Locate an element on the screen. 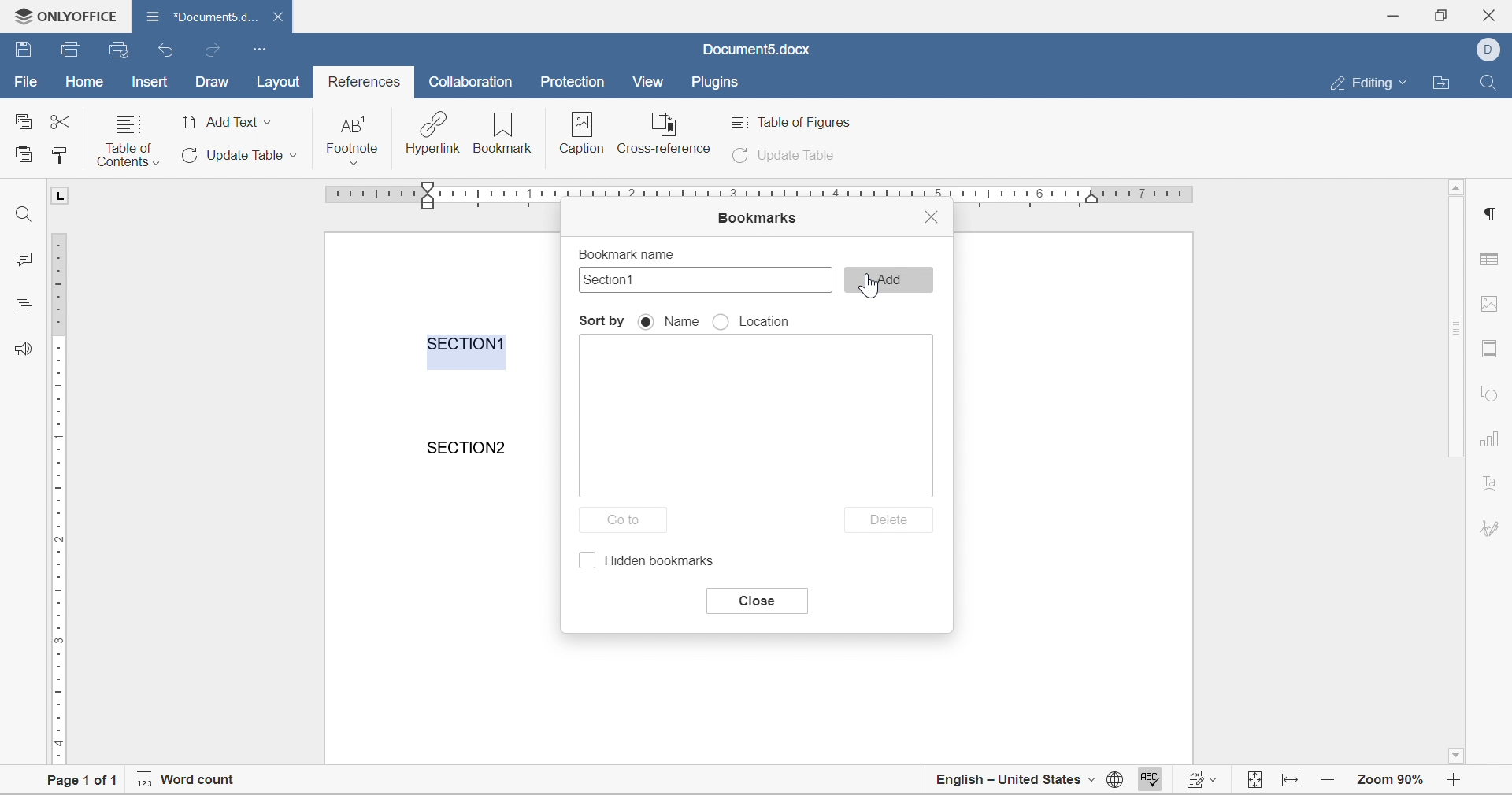 Image resolution: width=1512 pixels, height=795 pixels. set document language is located at coordinates (1114, 783).